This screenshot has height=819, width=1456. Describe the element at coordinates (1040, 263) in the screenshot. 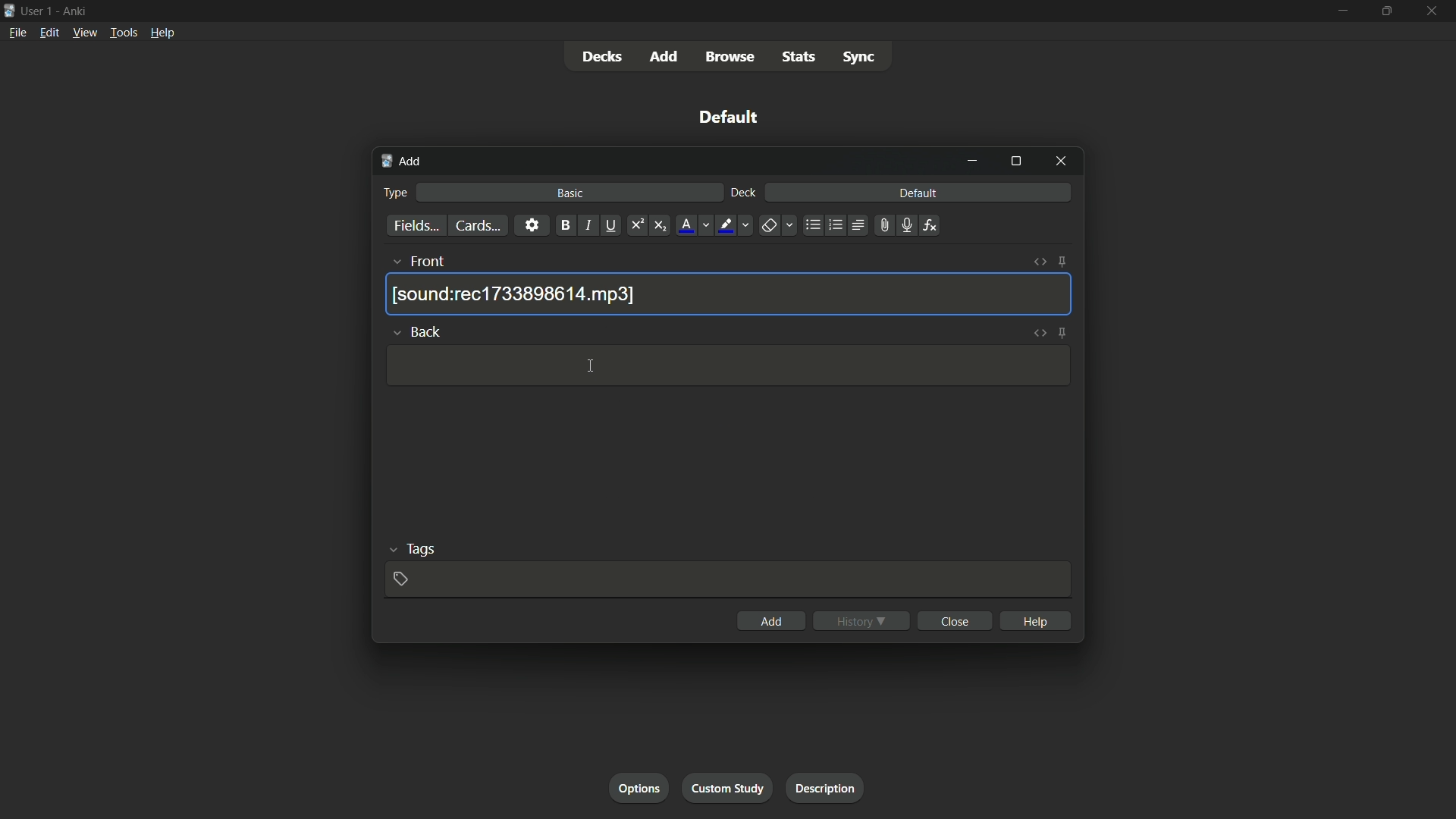

I see `toggle html editor` at that location.